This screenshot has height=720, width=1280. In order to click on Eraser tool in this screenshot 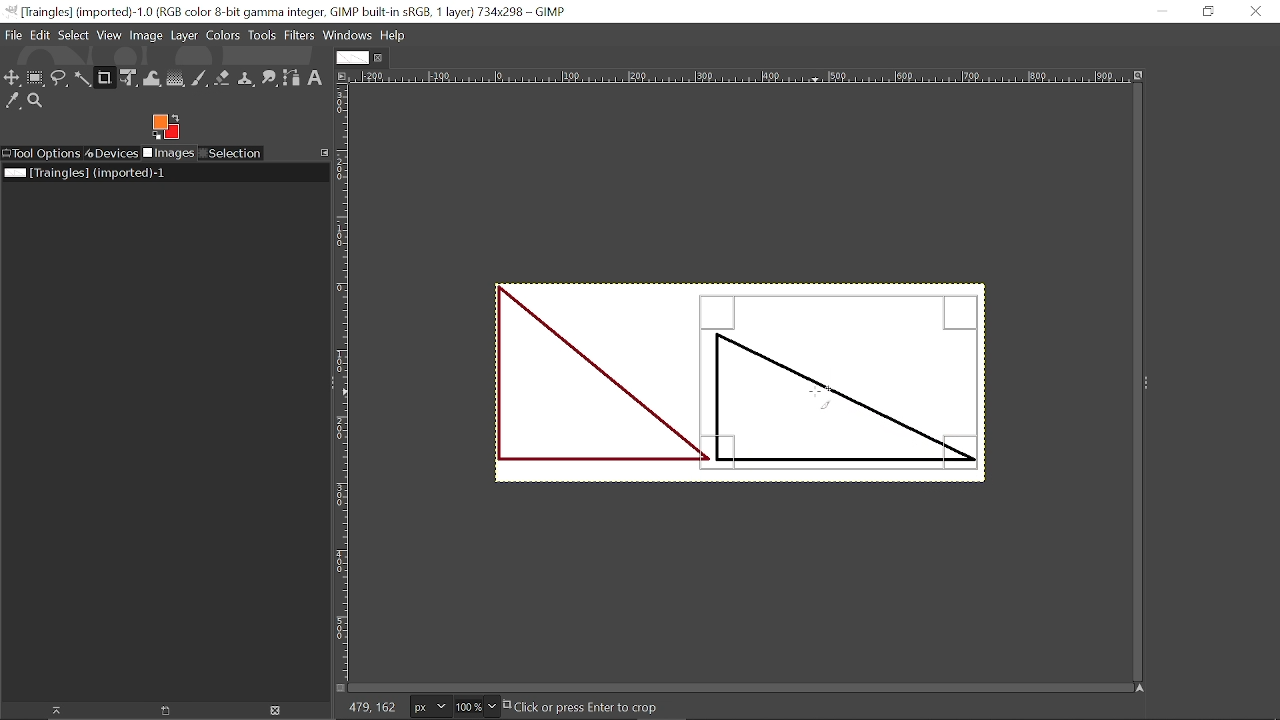, I will do `click(222, 78)`.